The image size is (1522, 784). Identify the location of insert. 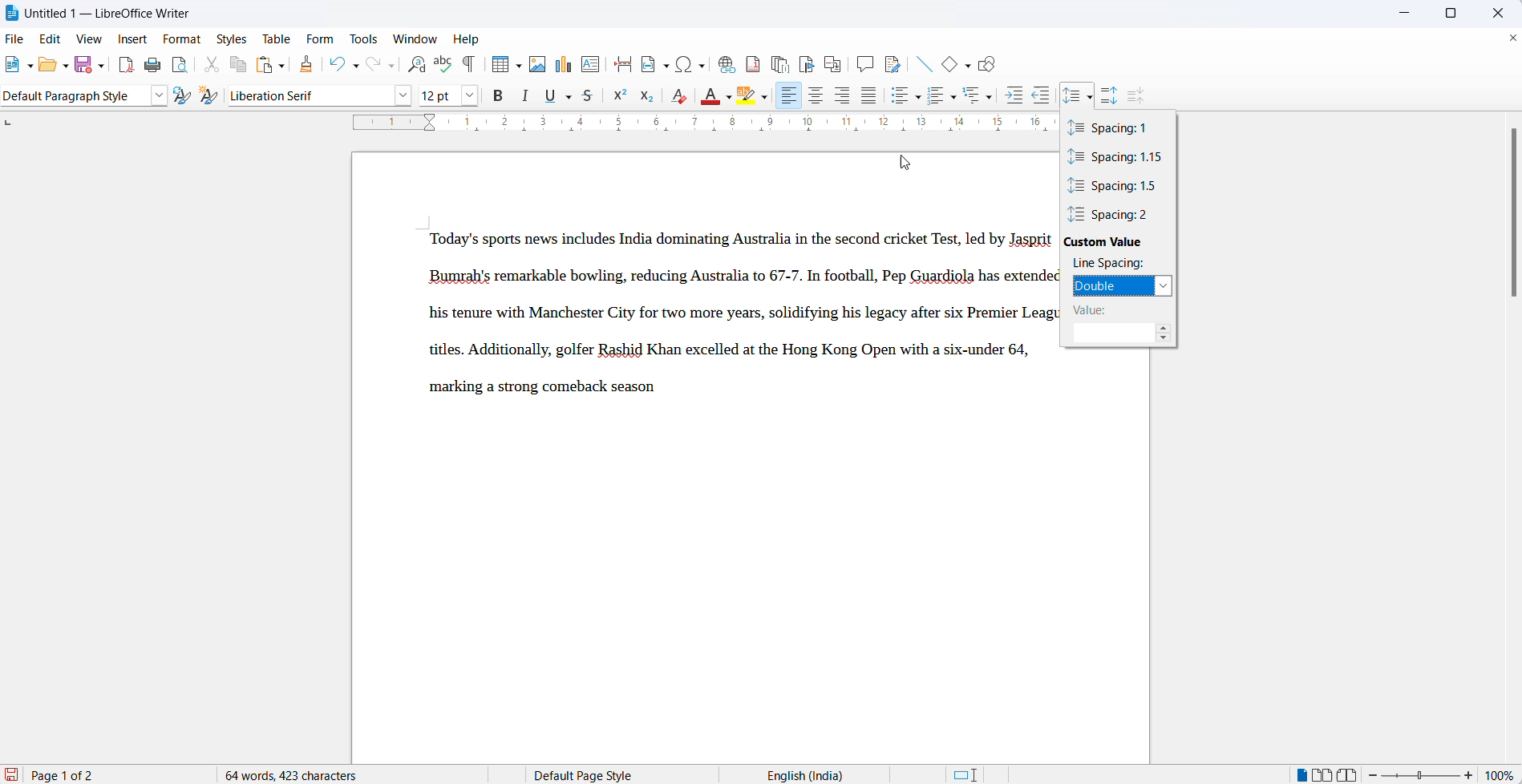
(134, 38).